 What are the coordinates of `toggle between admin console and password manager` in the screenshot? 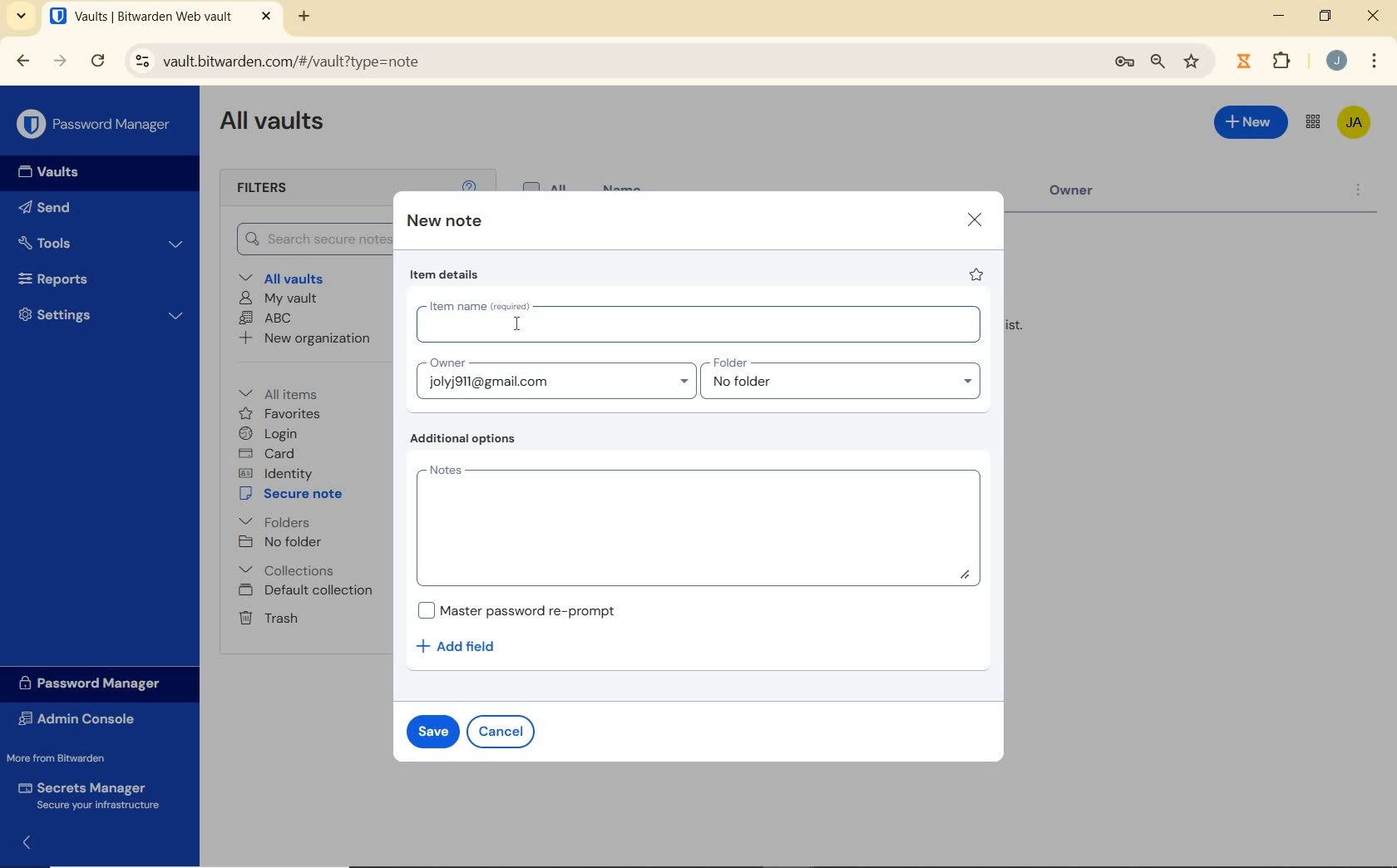 It's located at (1313, 123).